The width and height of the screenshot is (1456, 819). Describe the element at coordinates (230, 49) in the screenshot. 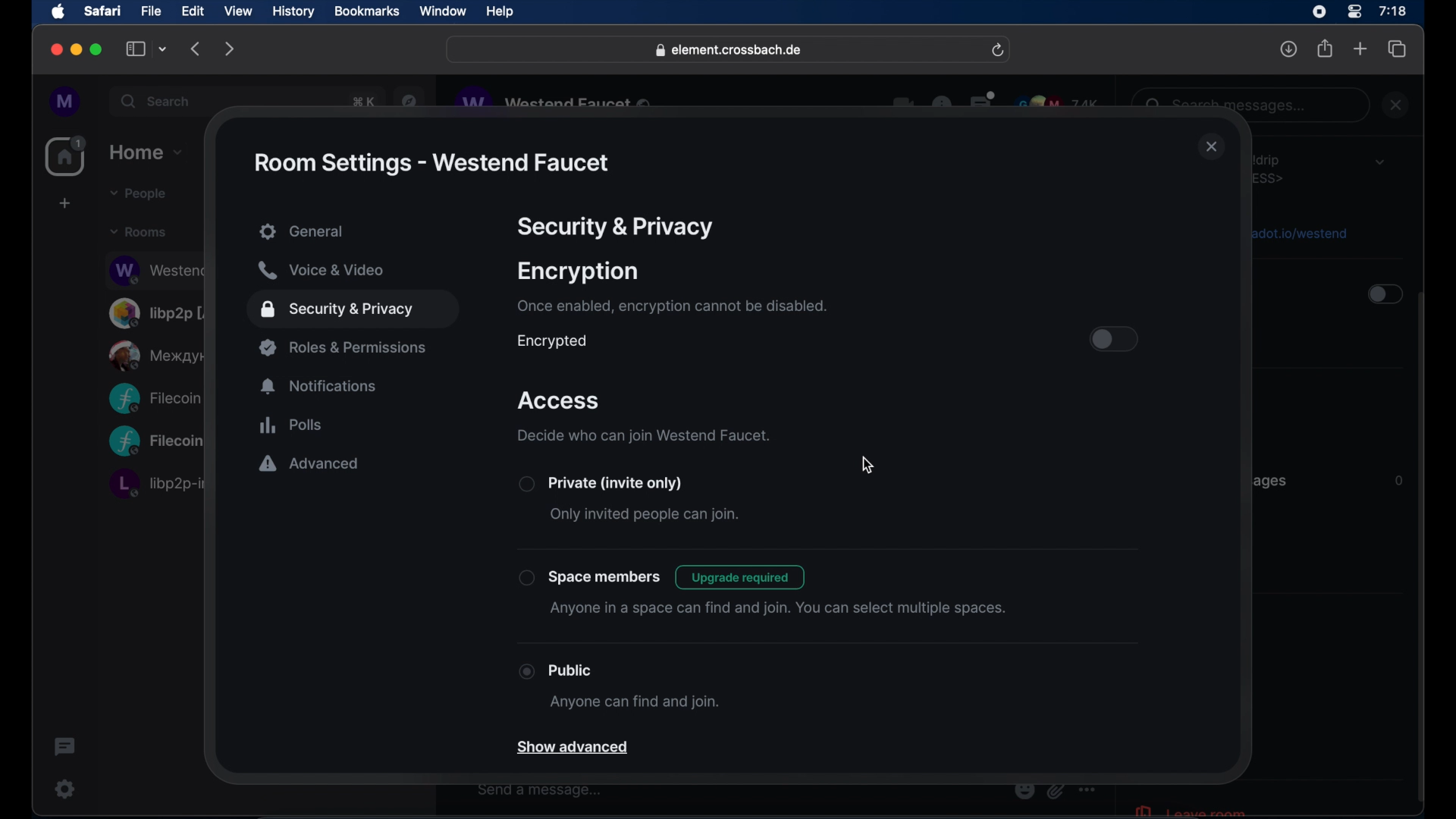

I see `forward` at that location.